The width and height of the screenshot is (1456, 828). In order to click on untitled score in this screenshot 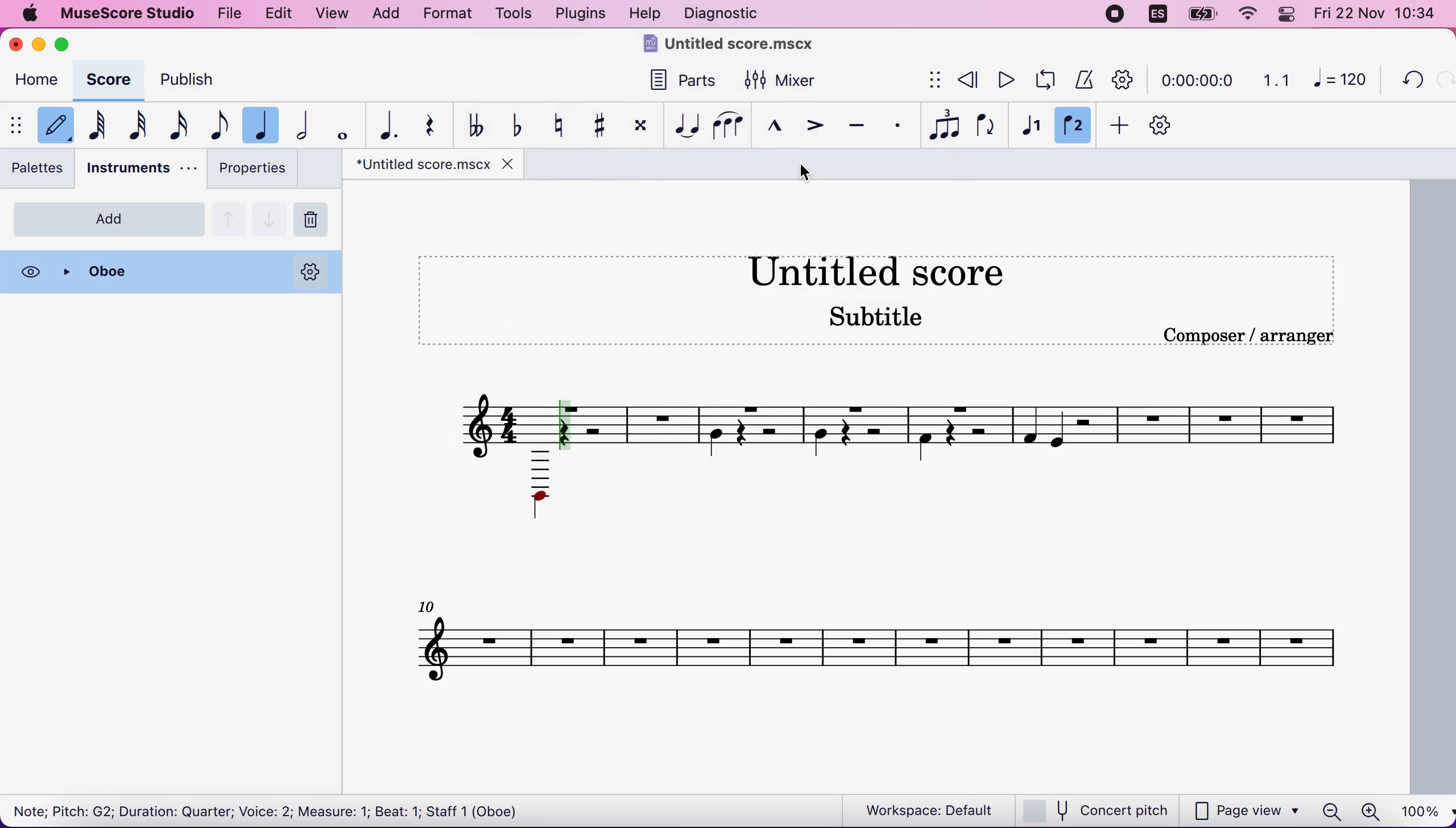, I will do `click(886, 491)`.